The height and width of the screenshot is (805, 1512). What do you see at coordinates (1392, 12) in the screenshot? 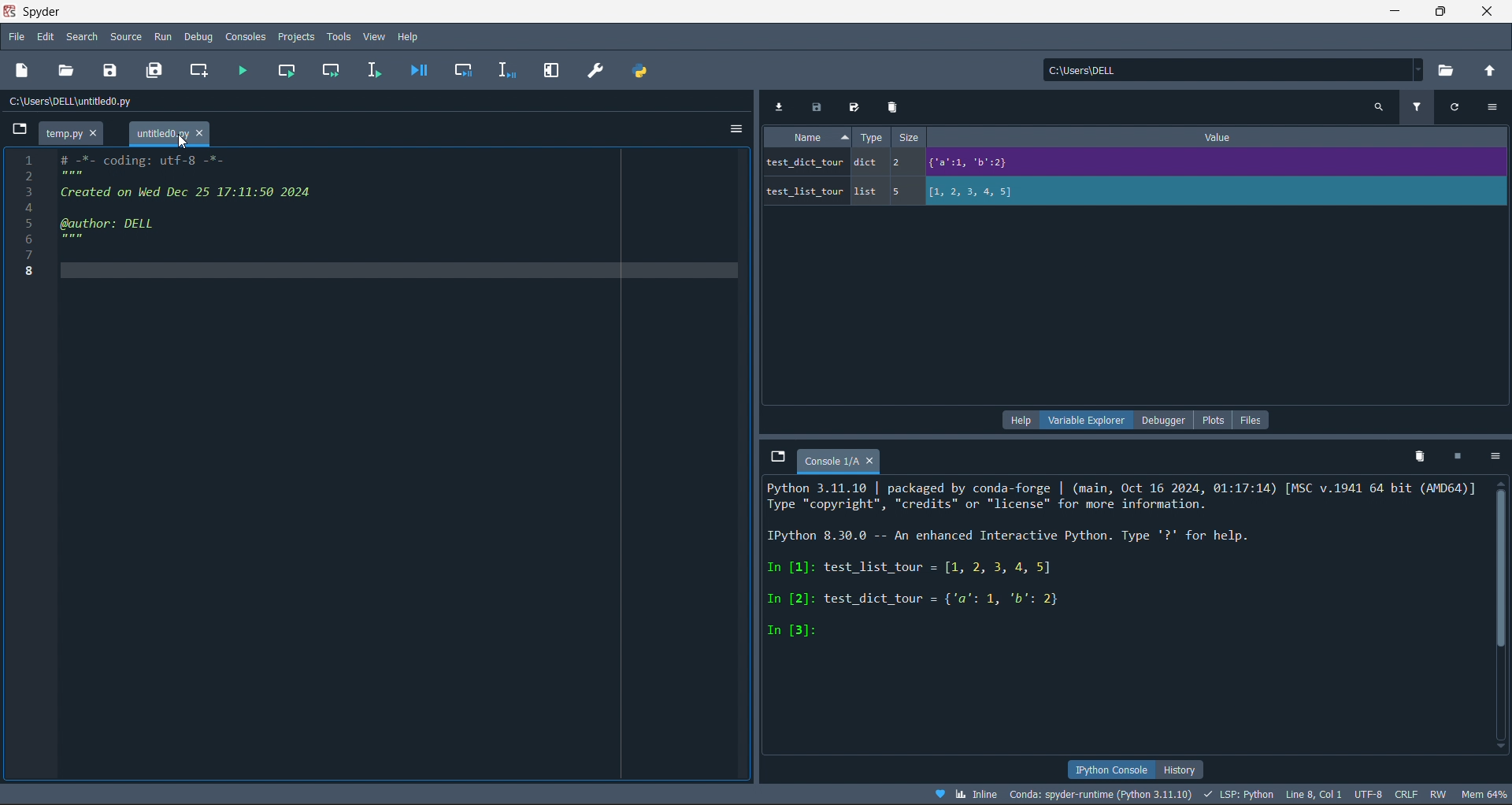
I see `minimiize` at bounding box center [1392, 12].